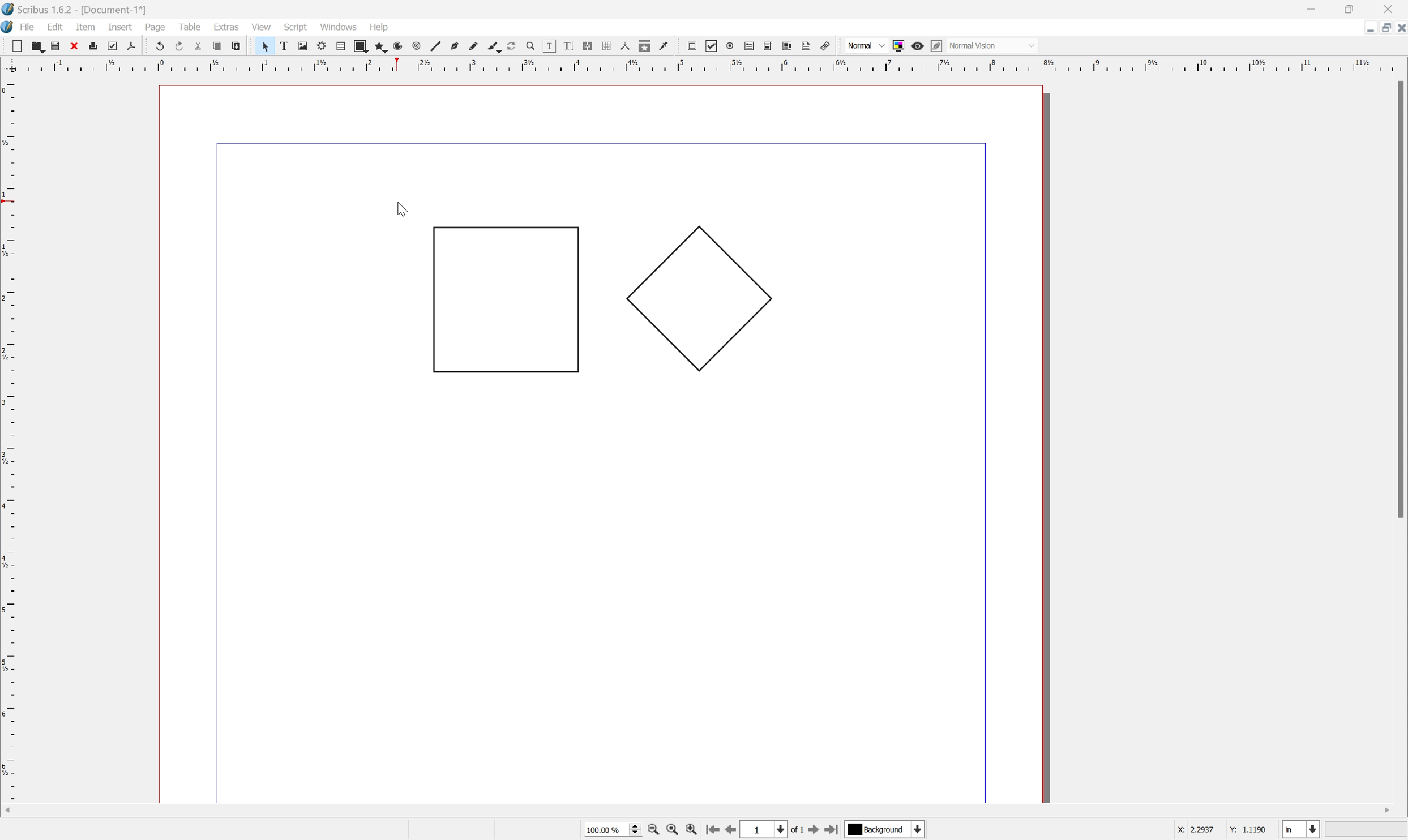 This screenshot has height=840, width=1408. I want to click on page, so click(157, 27).